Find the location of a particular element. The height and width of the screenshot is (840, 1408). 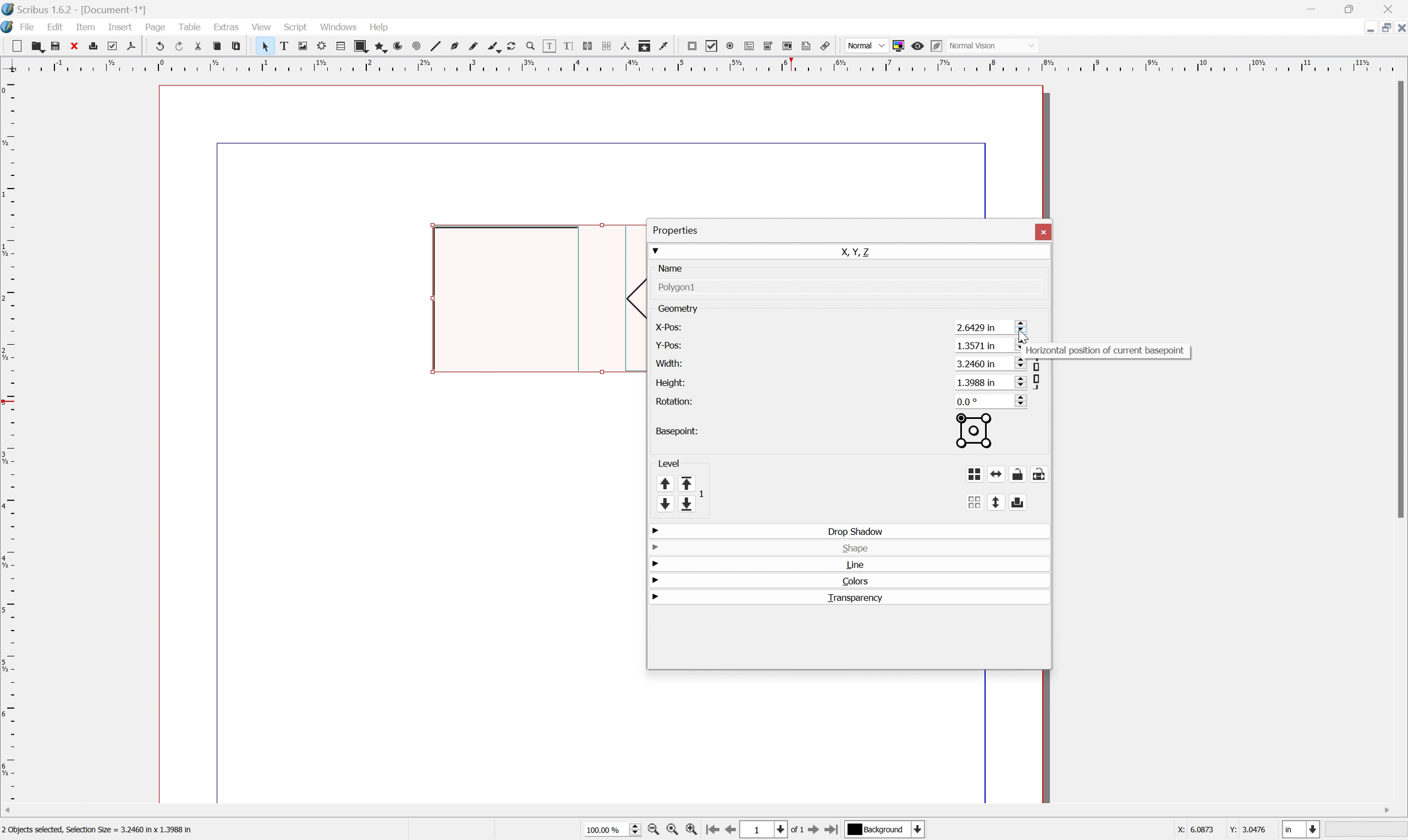

height is located at coordinates (671, 383).